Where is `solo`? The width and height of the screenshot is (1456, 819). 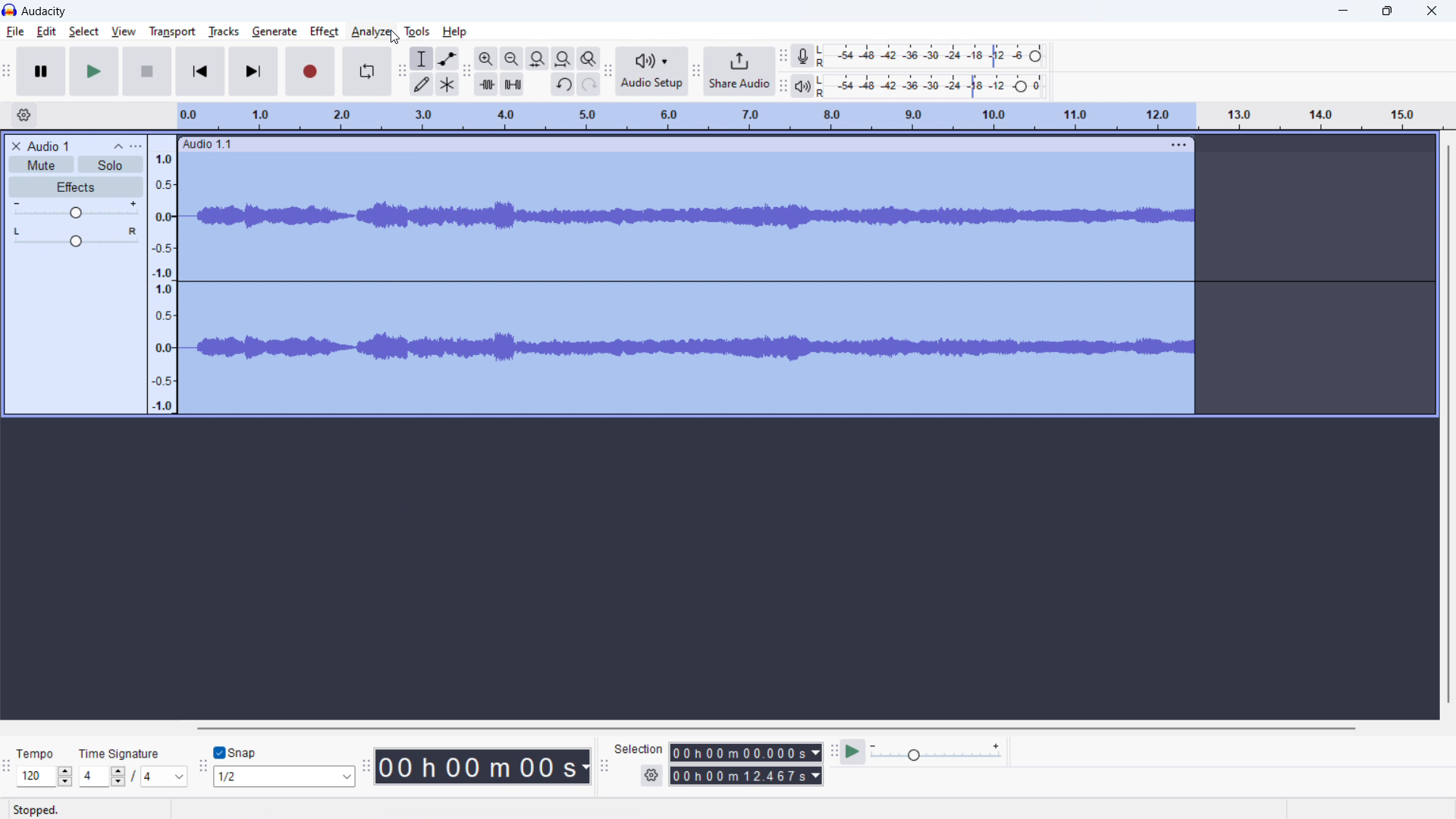
solo is located at coordinates (110, 165).